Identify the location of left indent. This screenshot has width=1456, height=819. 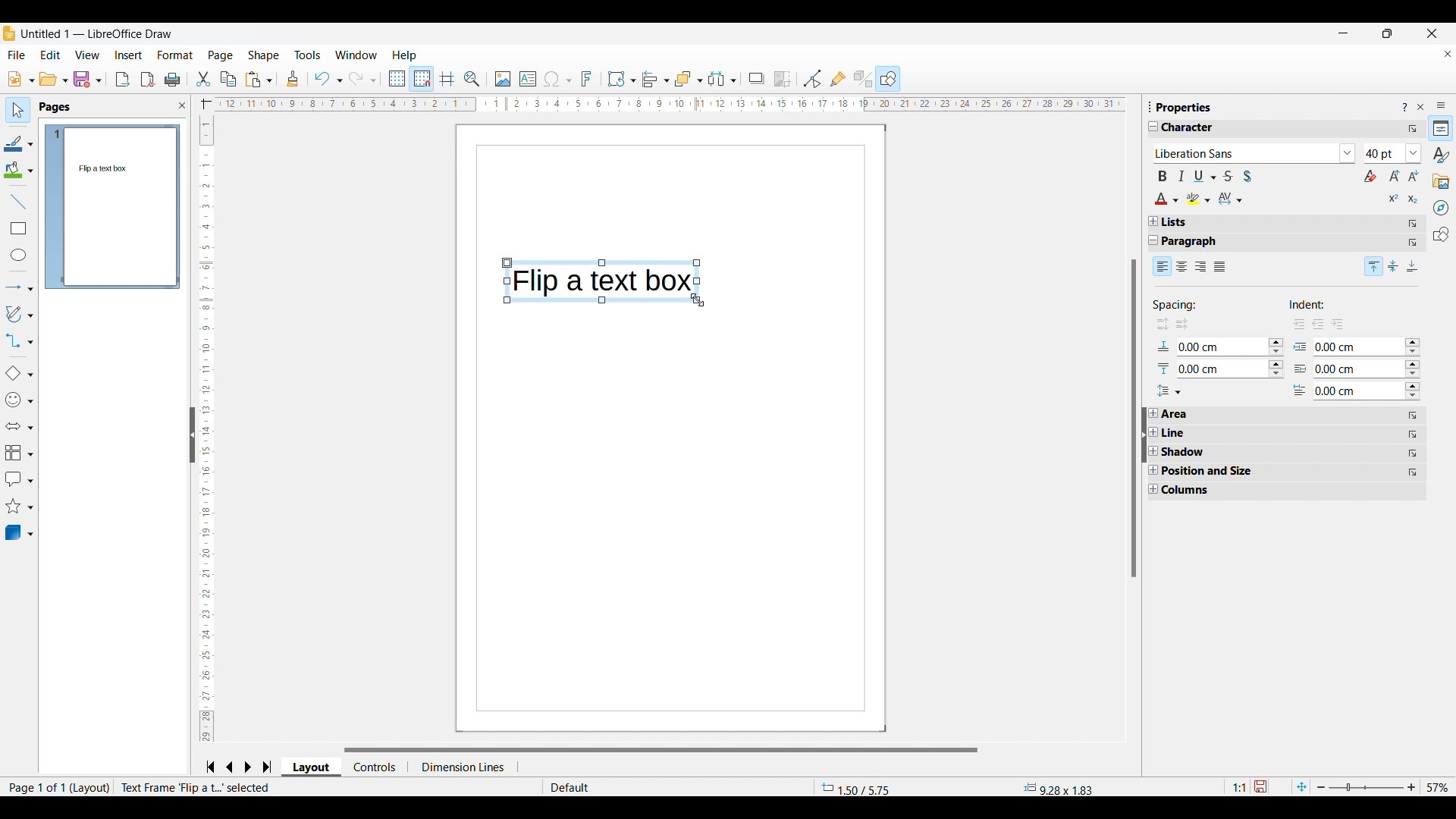
(1319, 322).